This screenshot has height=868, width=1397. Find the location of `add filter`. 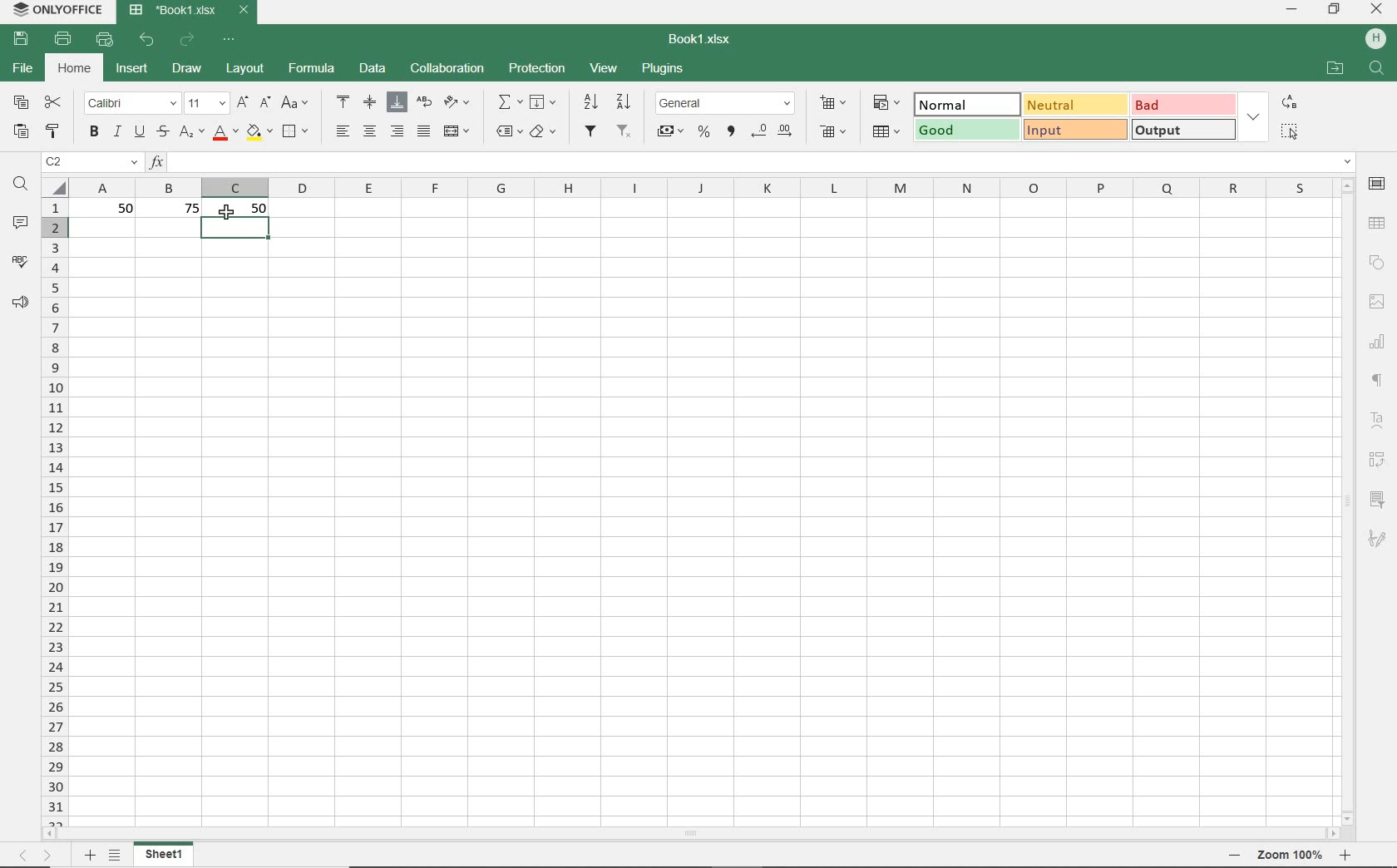

add filter is located at coordinates (591, 133).